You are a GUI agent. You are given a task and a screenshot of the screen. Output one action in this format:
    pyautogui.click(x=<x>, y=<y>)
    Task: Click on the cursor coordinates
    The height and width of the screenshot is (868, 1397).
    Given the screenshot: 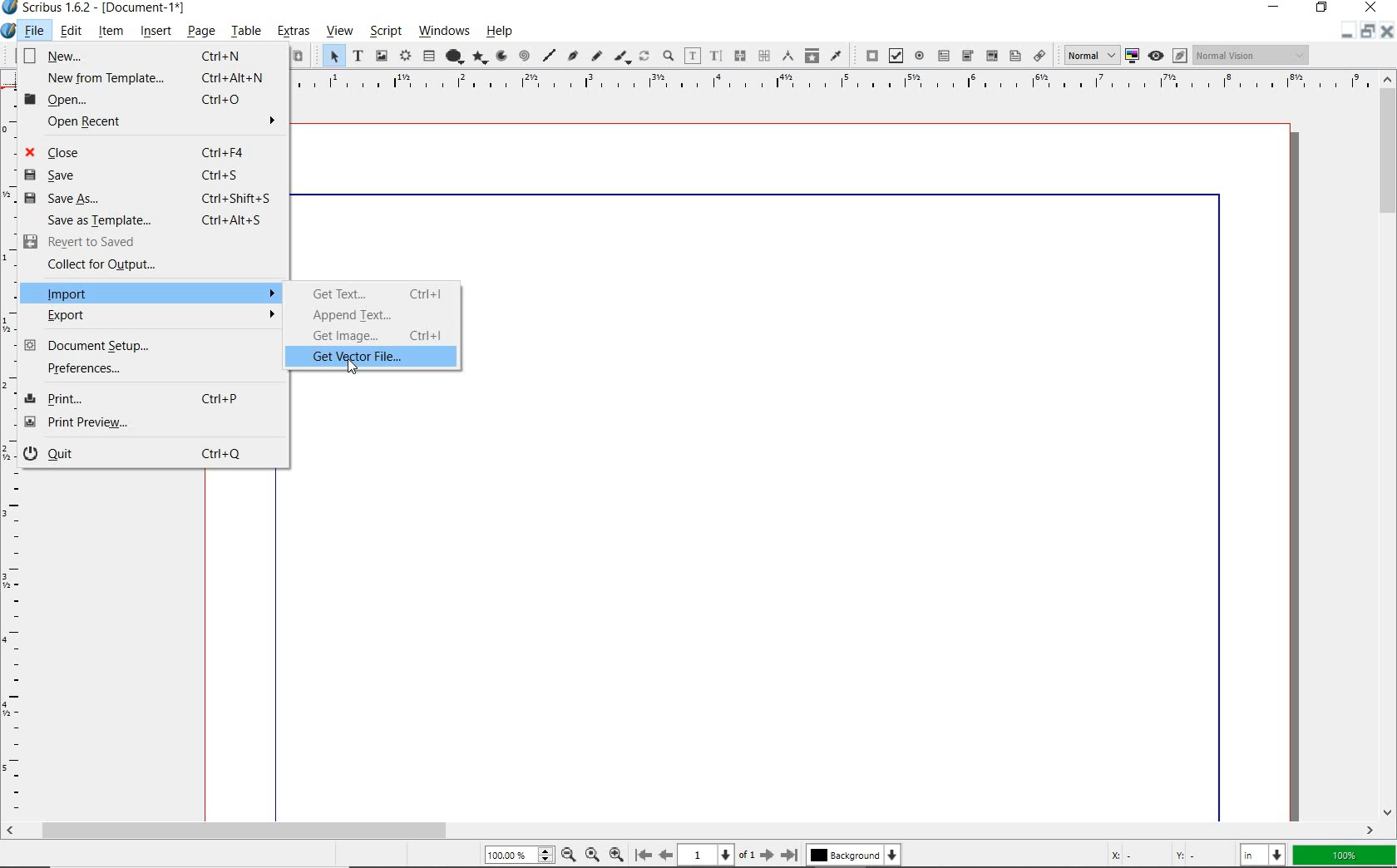 What is the action you would take?
    pyautogui.click(x=1168, y=856)
    